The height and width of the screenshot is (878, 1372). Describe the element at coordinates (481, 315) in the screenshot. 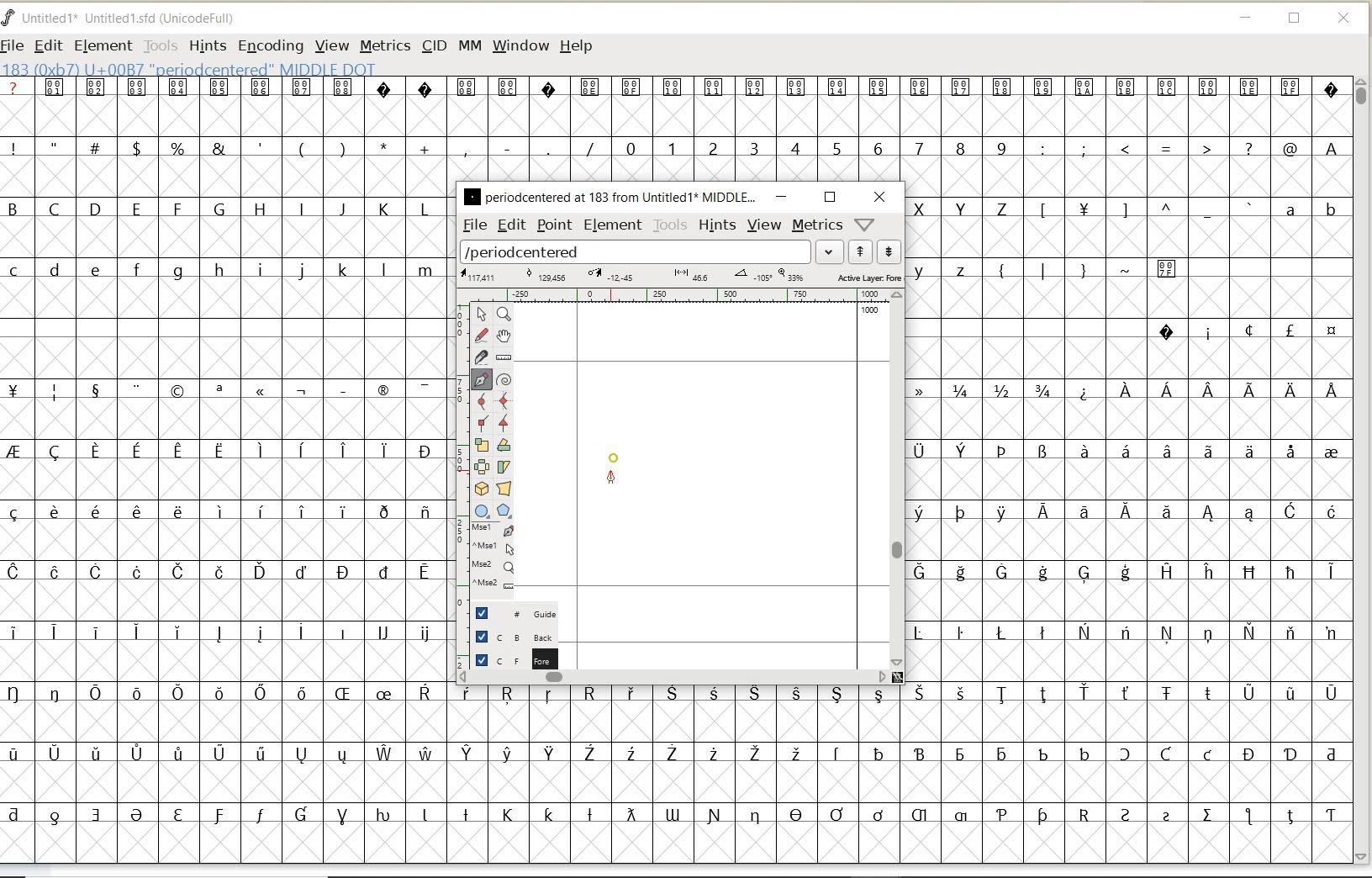

I see `pointer` at that location.